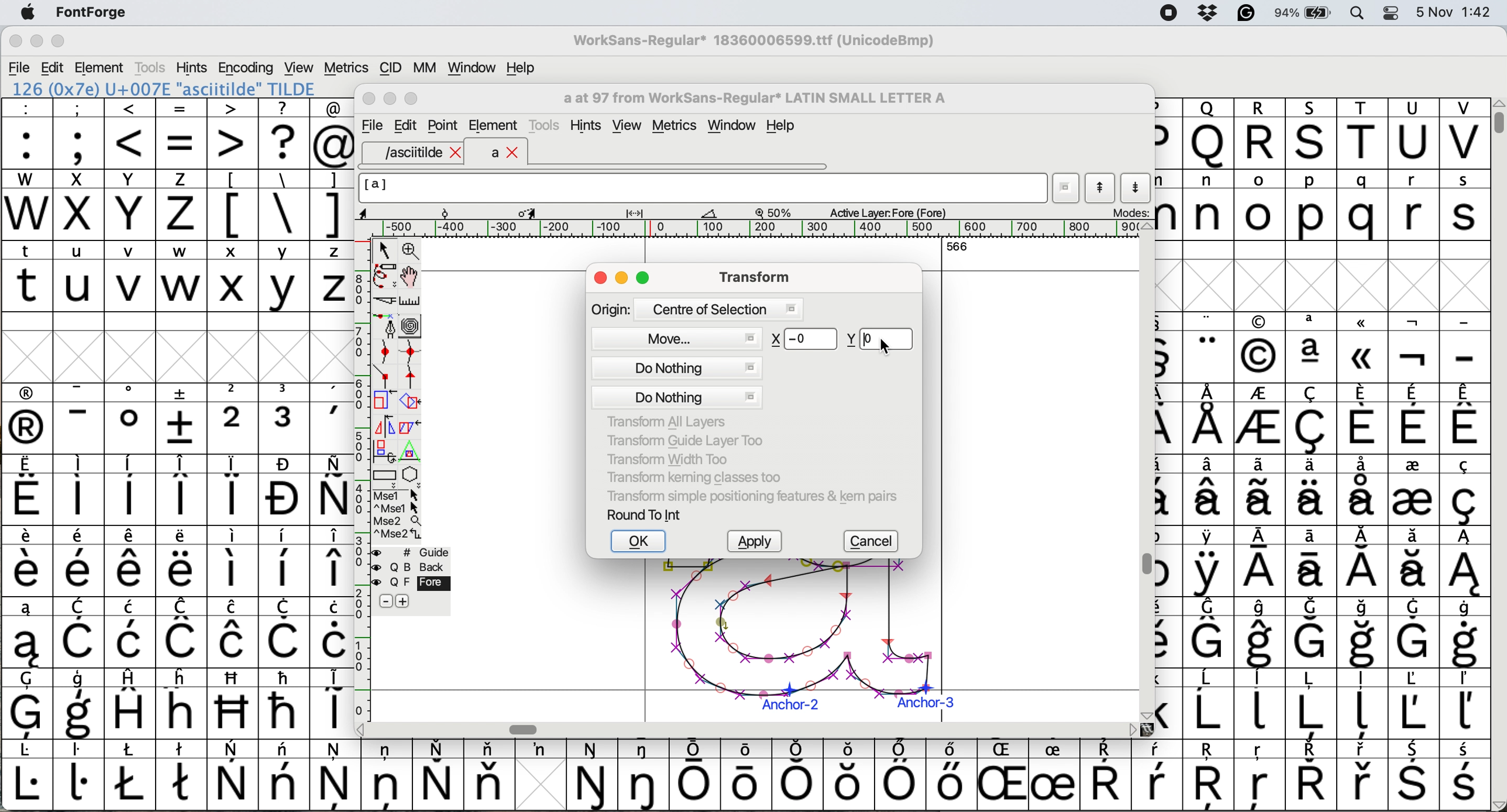  What do you see at coordinates (1208, 562) in the screenshot?
I see `symbol` at bounding box center [1208, 562].